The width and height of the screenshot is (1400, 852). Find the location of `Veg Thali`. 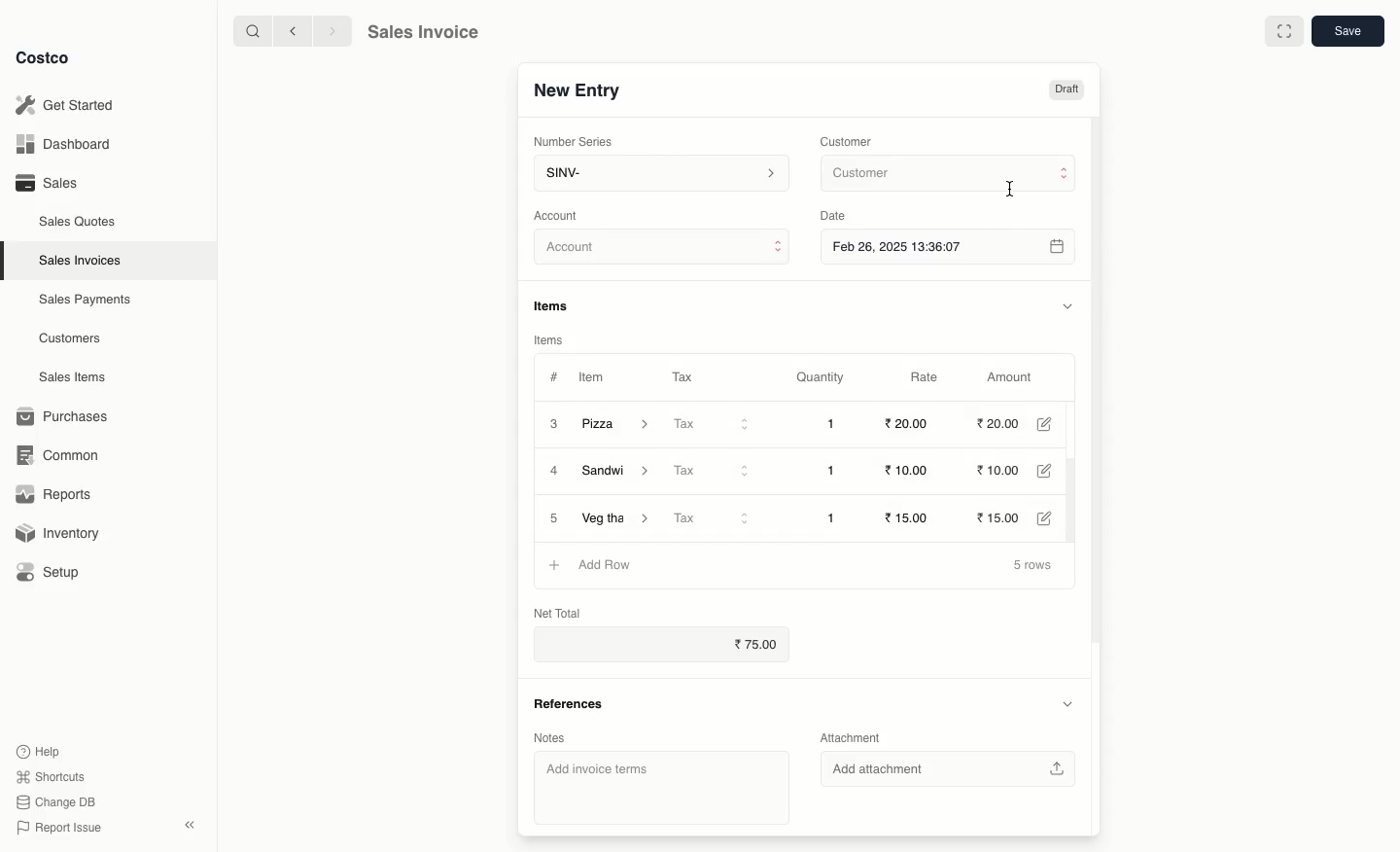

Veg Thali is located at coordinates (617, 517).